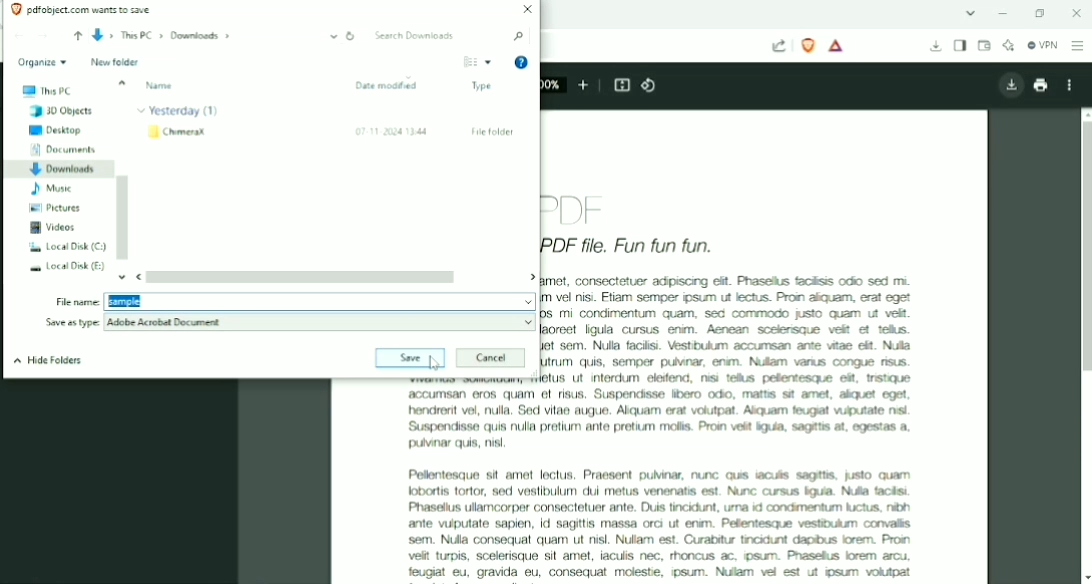 The width and height of the screenshot is (1092, 584). I want to click on Brave logo, so click(14, 10).